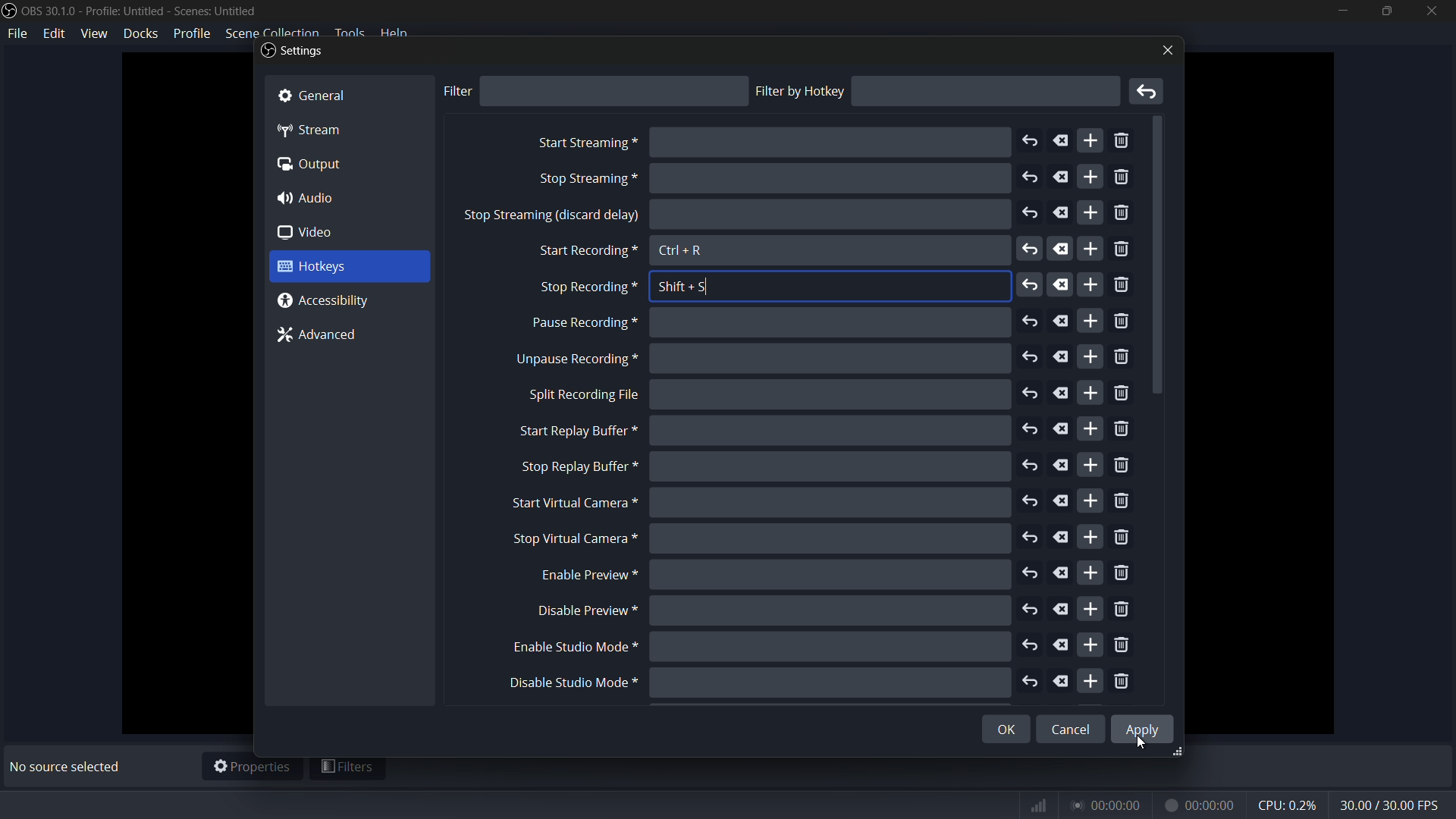 The height and width of the screenshot is (819, 1456). What do you see at coordinates (1391, 806) in the screenshot?
I see `fps` at bounding box center [1391, 806].